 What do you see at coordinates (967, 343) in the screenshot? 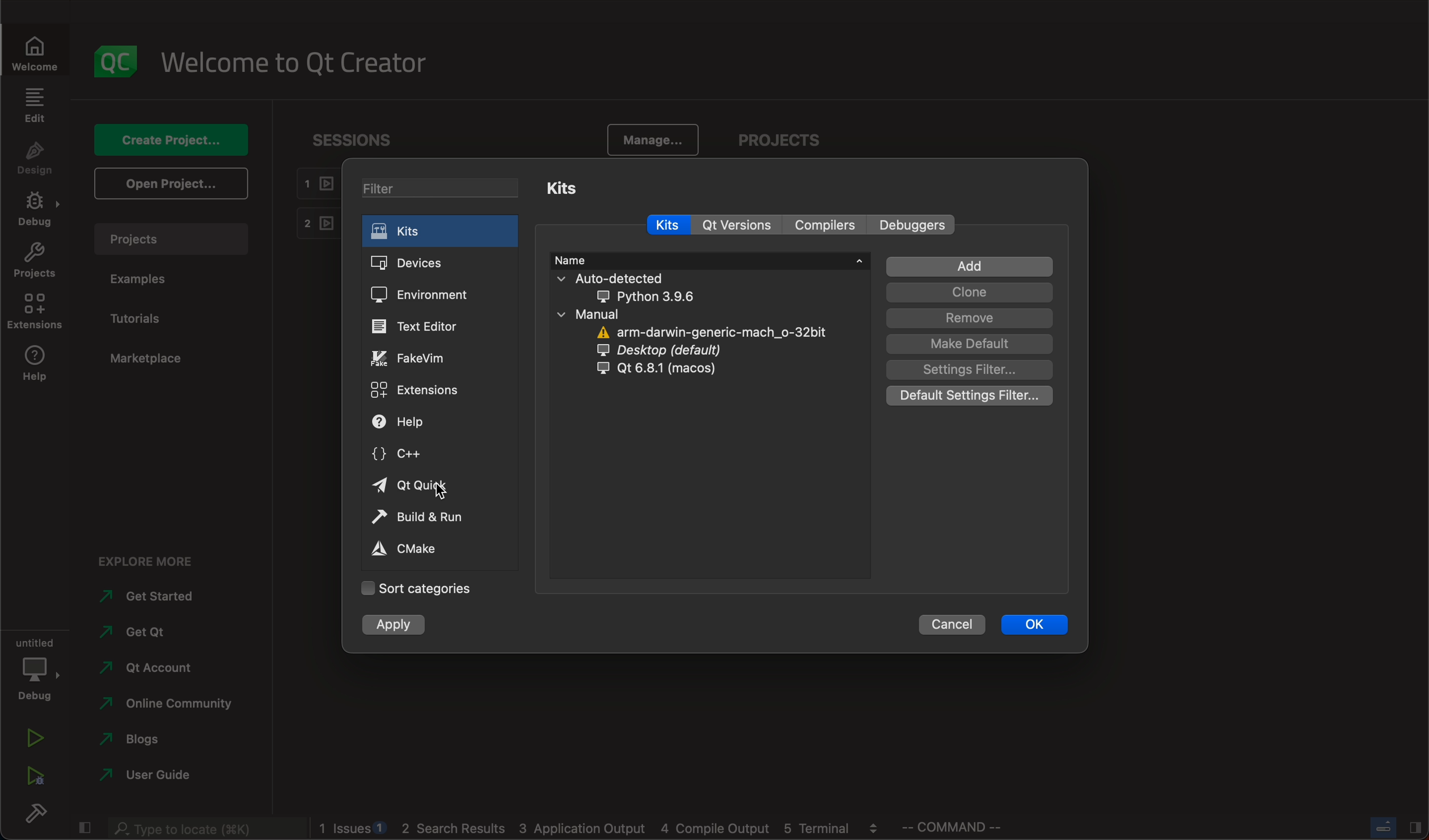
I see `default` at bounding box center [967, 343].